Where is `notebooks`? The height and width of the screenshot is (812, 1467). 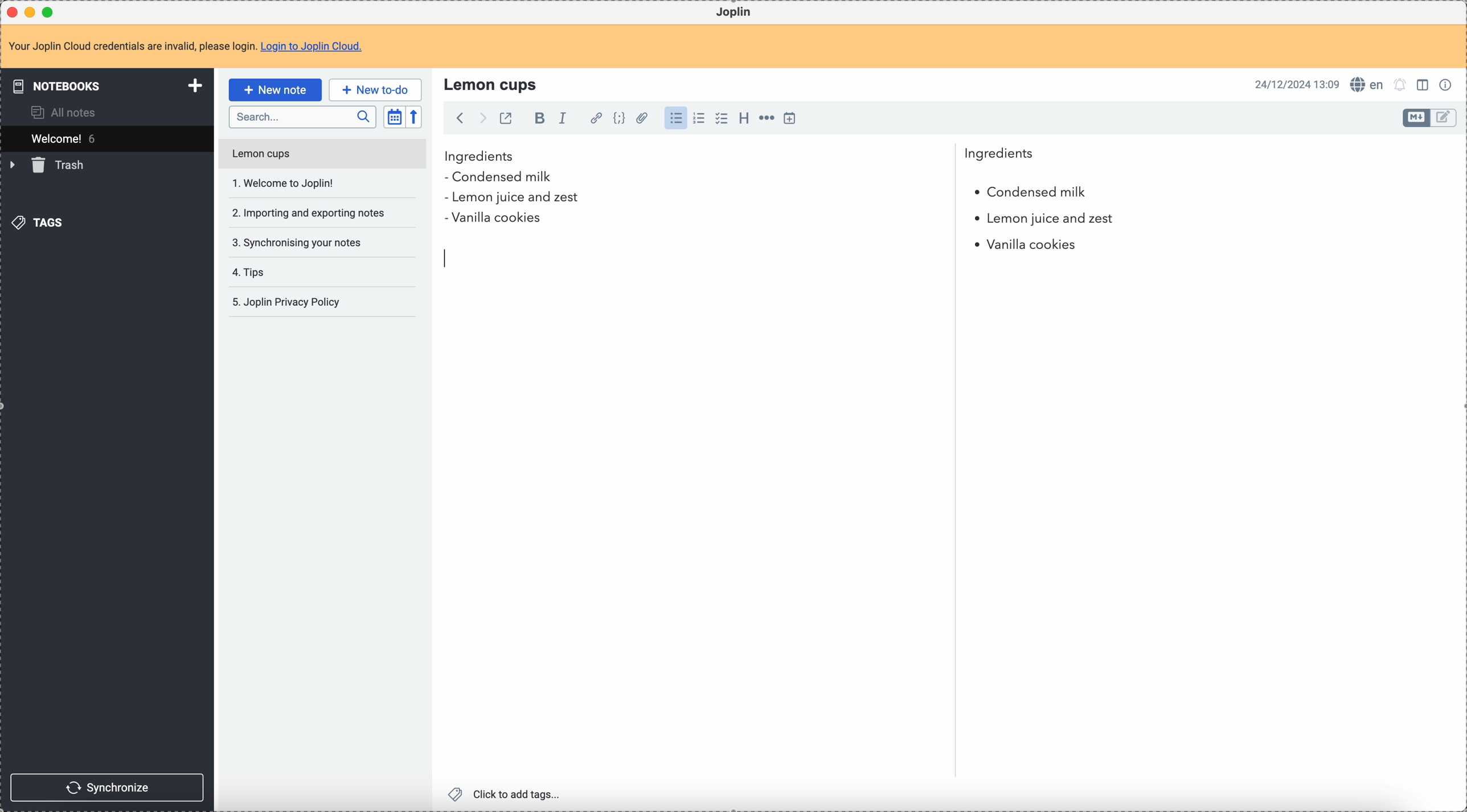
notebooks is located at coordinates (109, 85).